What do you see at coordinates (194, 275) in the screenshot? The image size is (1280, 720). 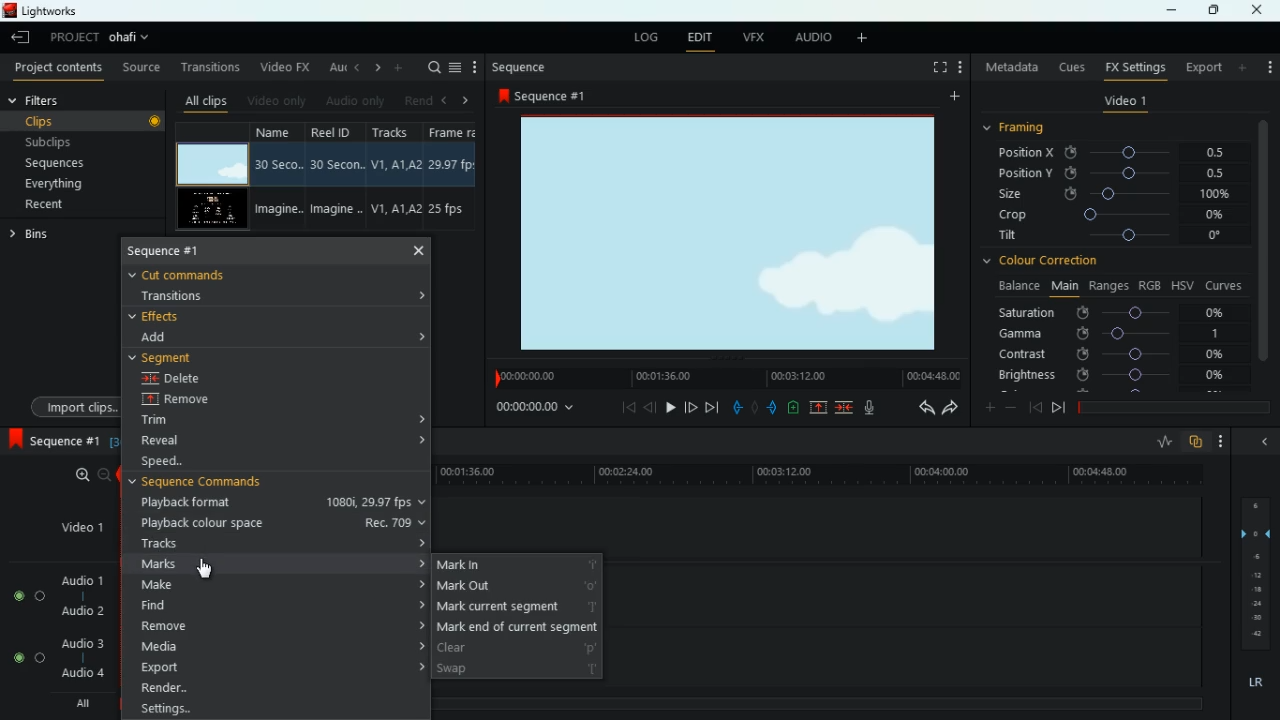 I see `cut commands` at bounding box center [194, 275].